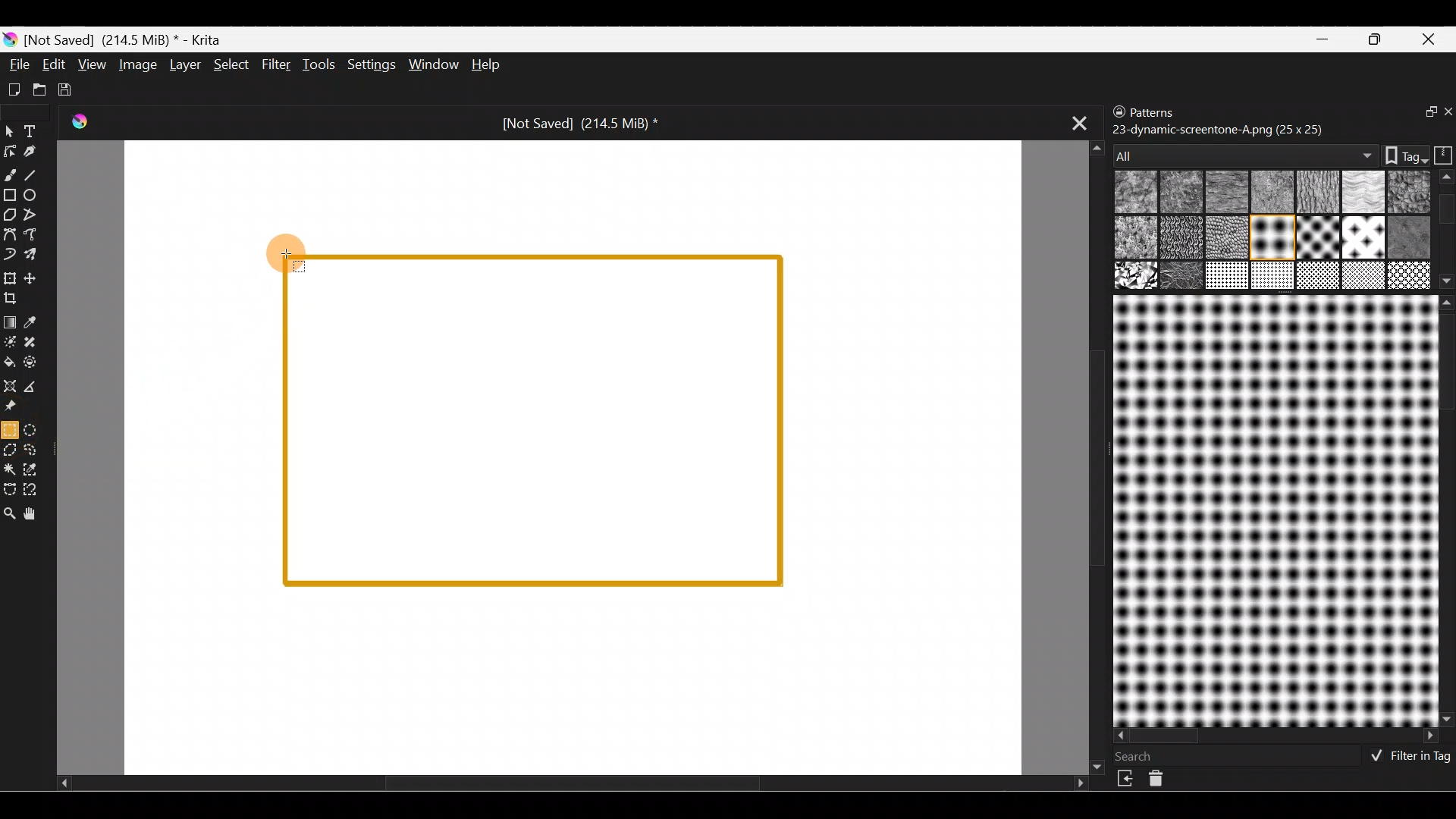 The height and width of the screenshot is (819, 1456). I want to click on Reference images tool, so click(17, 406).